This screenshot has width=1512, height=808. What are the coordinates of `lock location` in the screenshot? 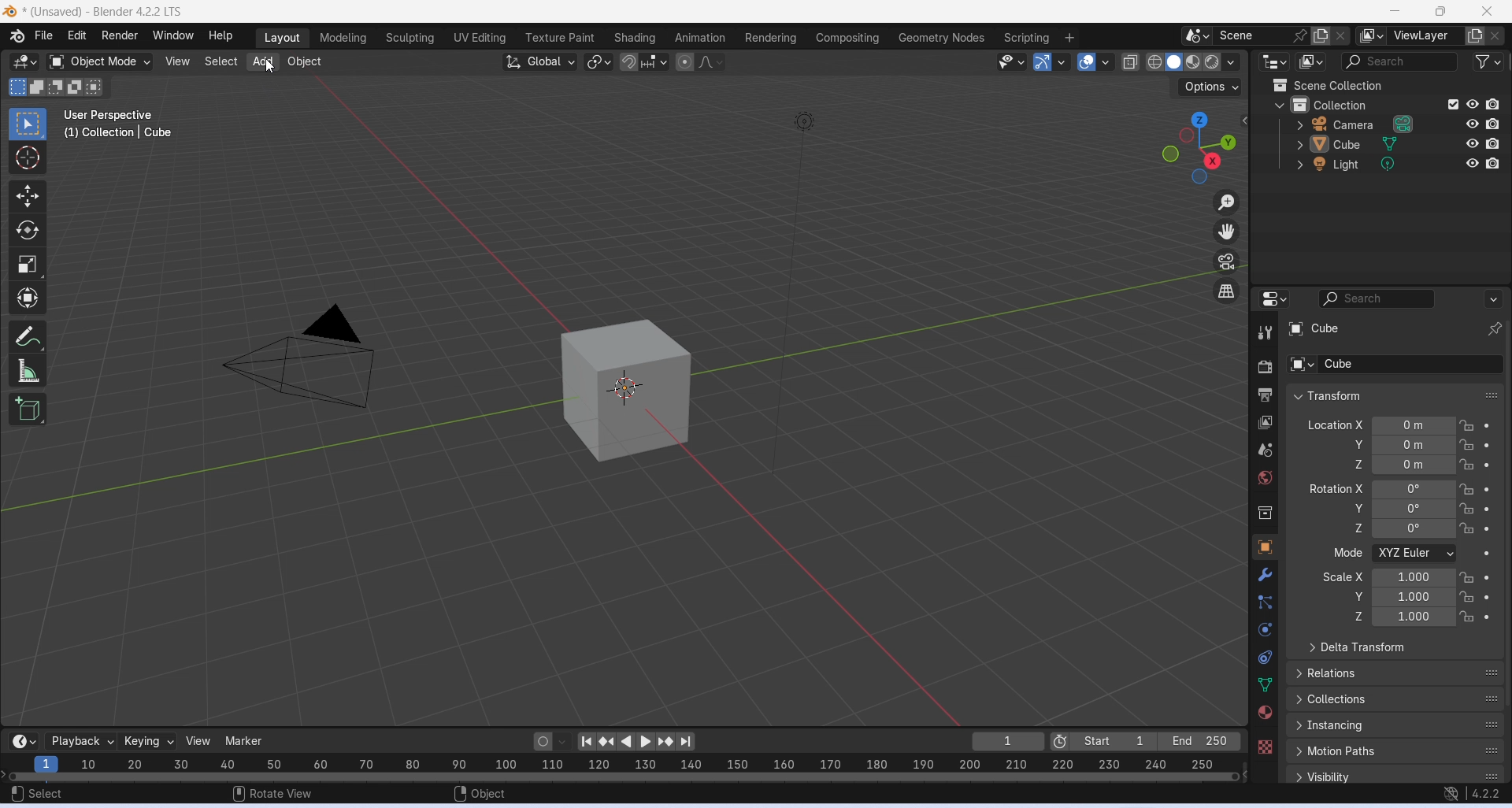 It's located at (1468, 426).